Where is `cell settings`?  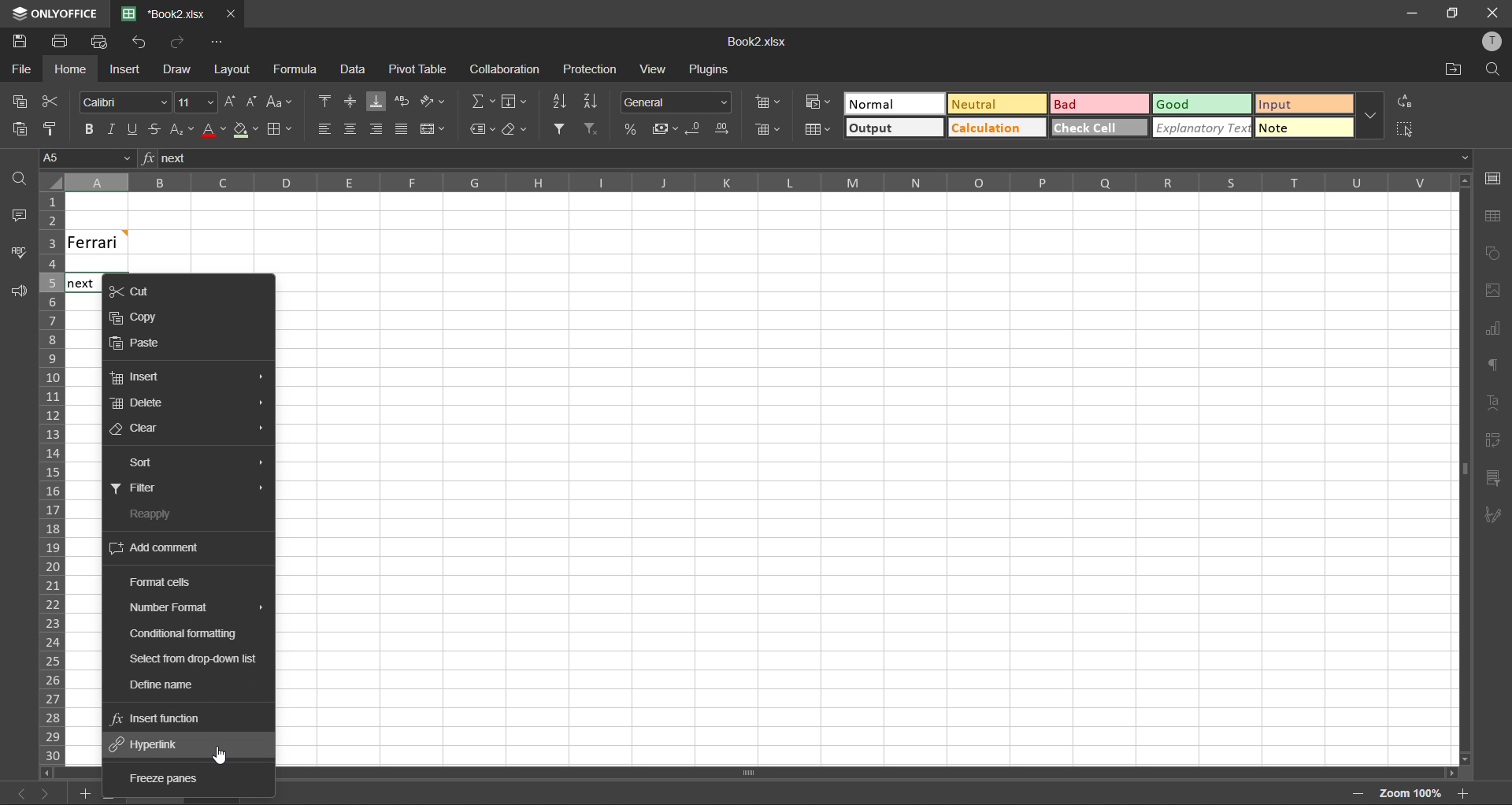 cell settings is located at coordinates (1493, 178).